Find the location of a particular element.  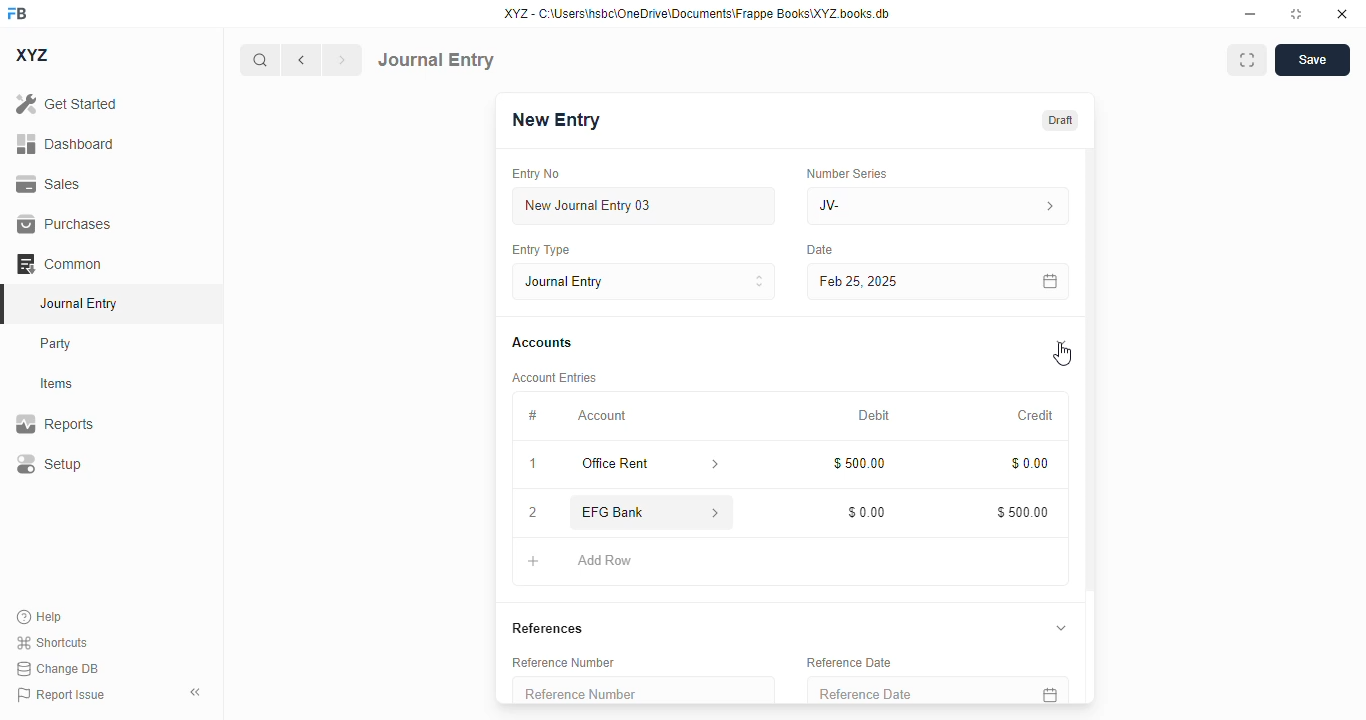

credit is located at coordinates (1037, 416).